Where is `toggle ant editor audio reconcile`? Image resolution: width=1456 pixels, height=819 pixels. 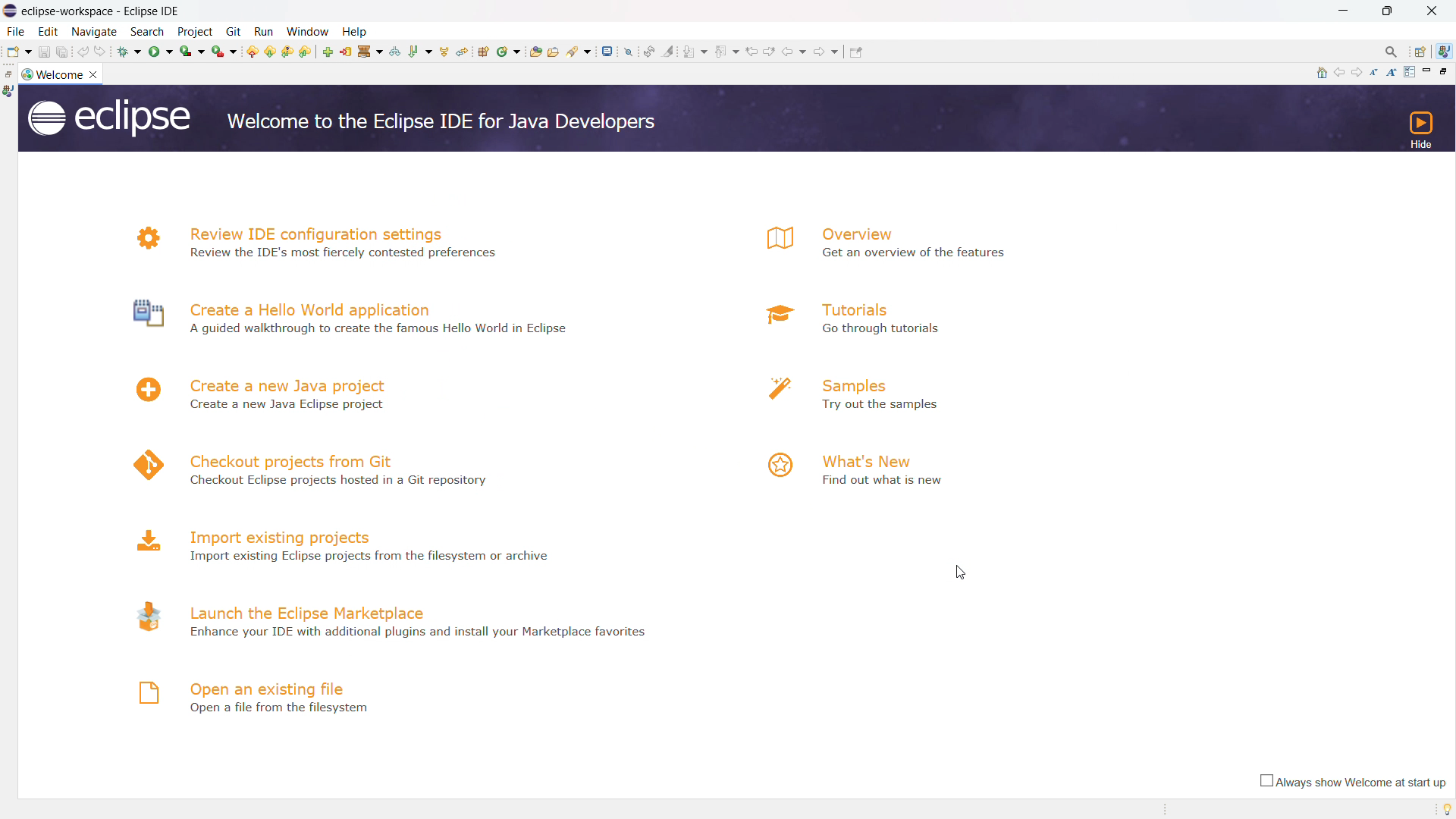 toggle ant editor audio reconcile is located at coordinates (650, 52).